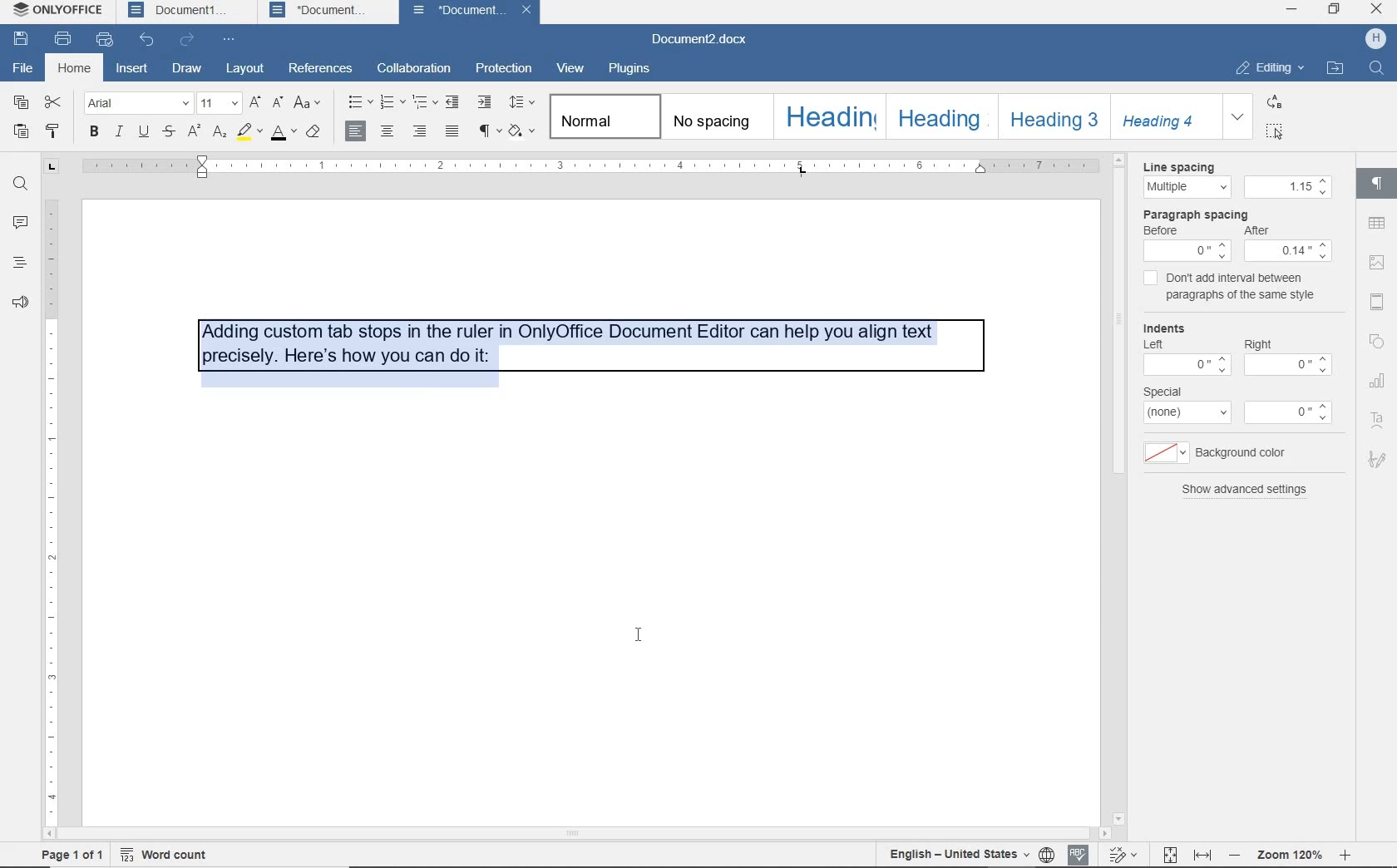  I want to click on menu, so click(1286, 367).